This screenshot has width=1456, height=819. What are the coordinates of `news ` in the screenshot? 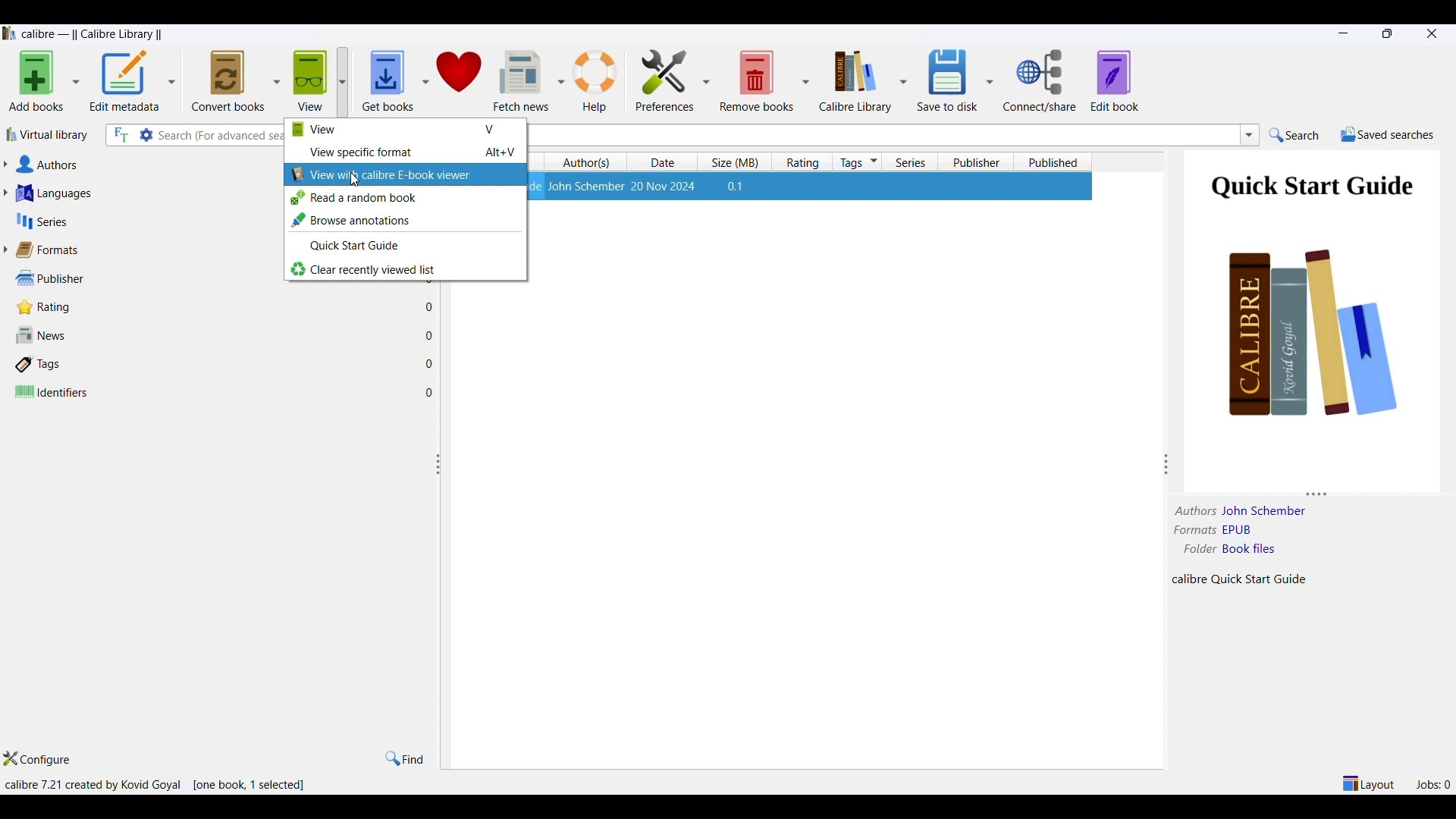 It's located at (226, 334).